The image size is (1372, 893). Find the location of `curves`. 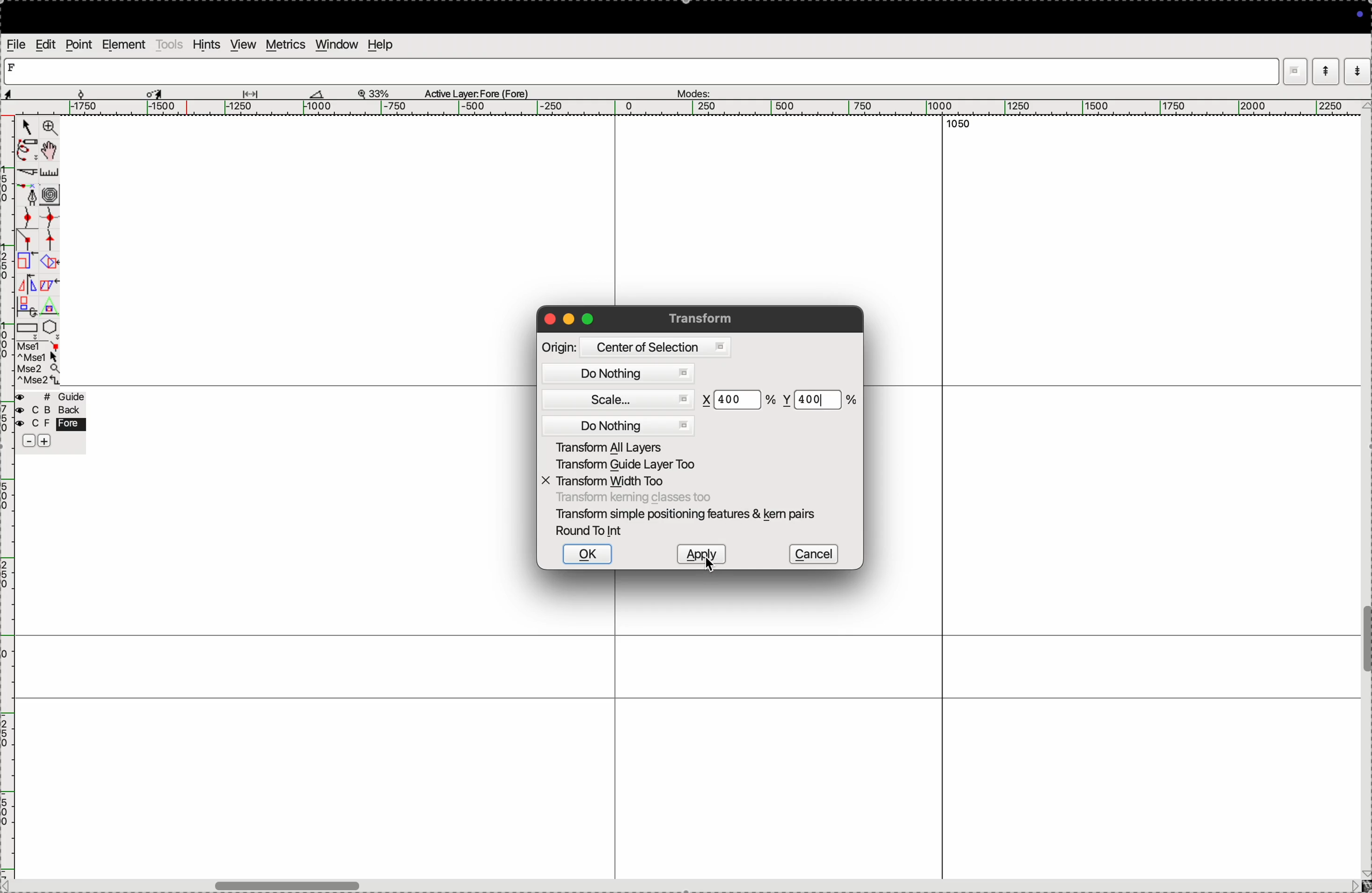

curves is located at coordinates (51, 196).